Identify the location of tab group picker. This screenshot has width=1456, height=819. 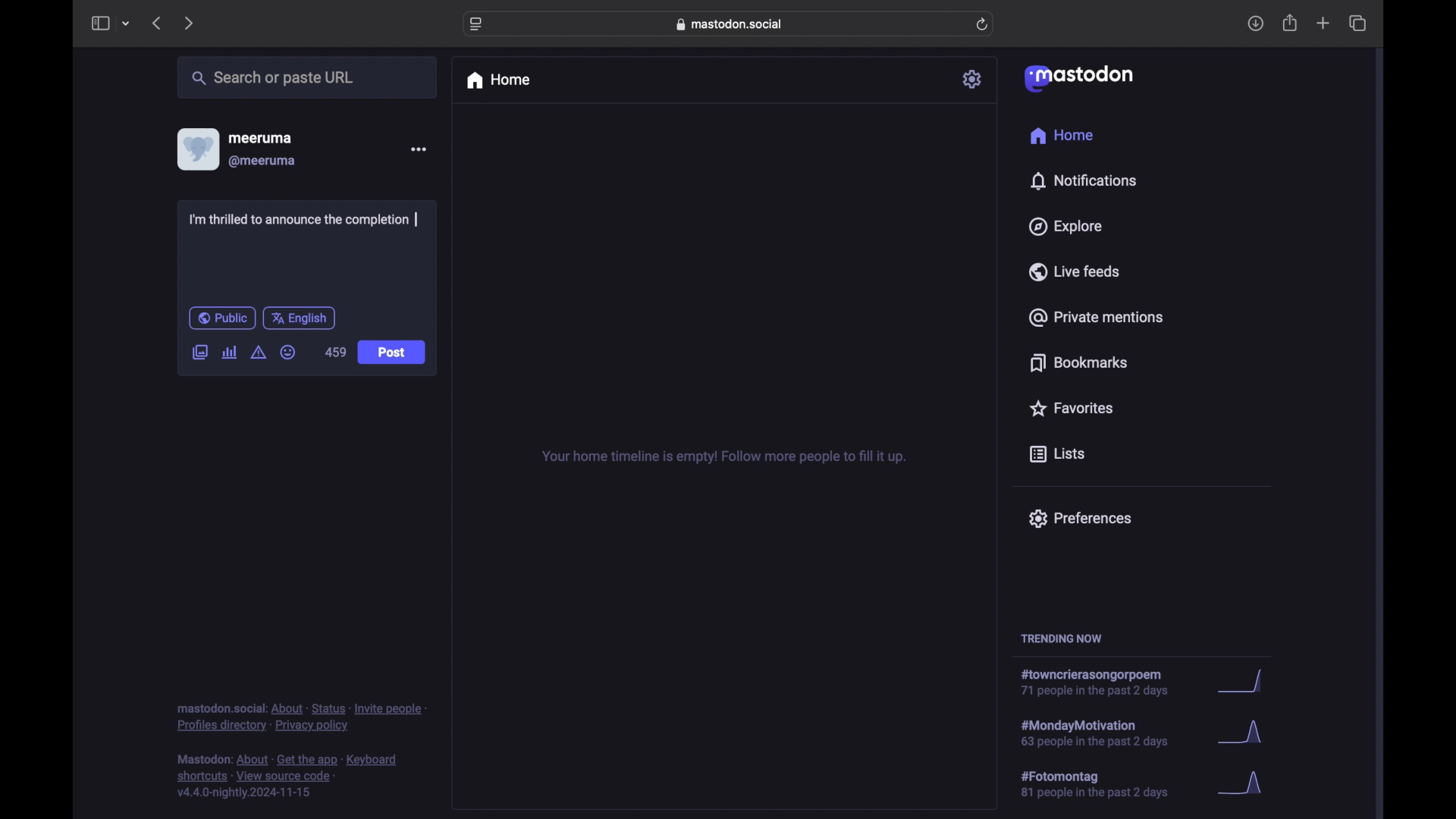
(127, 23).